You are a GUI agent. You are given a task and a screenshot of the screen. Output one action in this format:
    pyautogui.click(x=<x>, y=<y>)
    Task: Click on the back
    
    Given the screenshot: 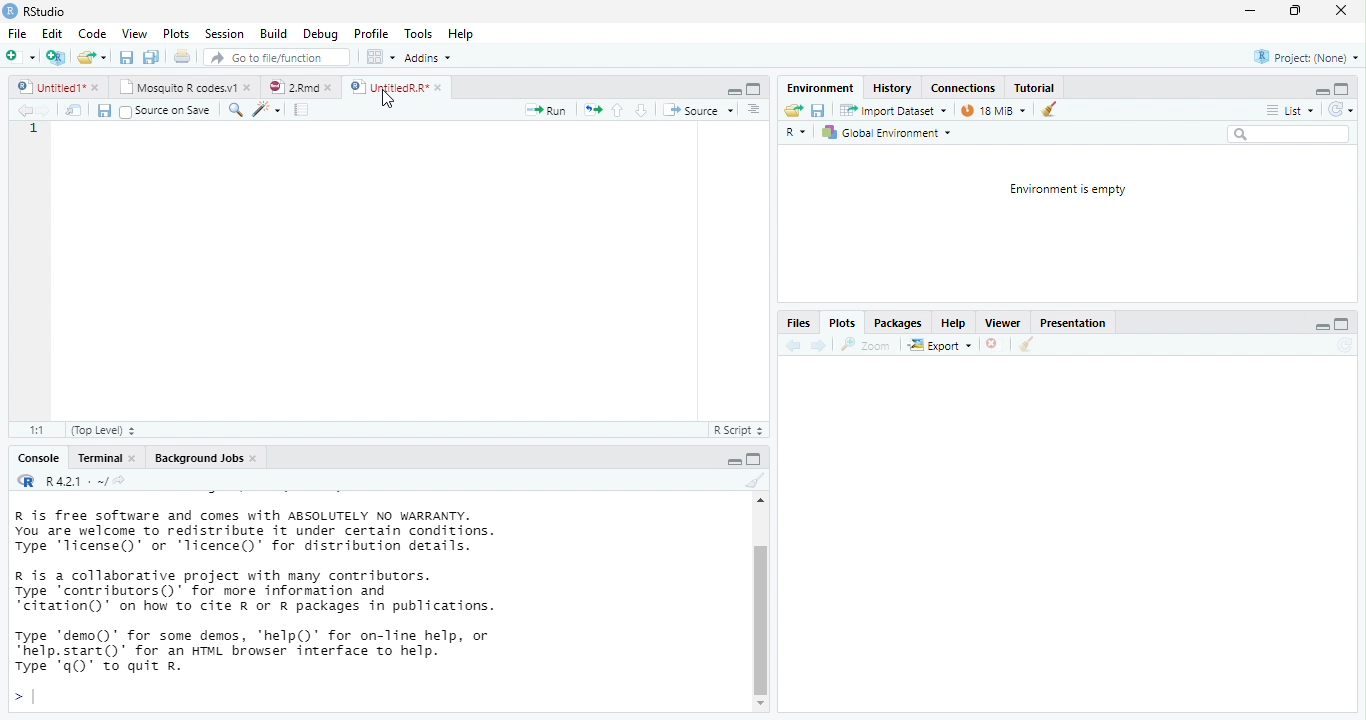 What is the action you would take?
    pyautogui.click(x=24, y=110)
    